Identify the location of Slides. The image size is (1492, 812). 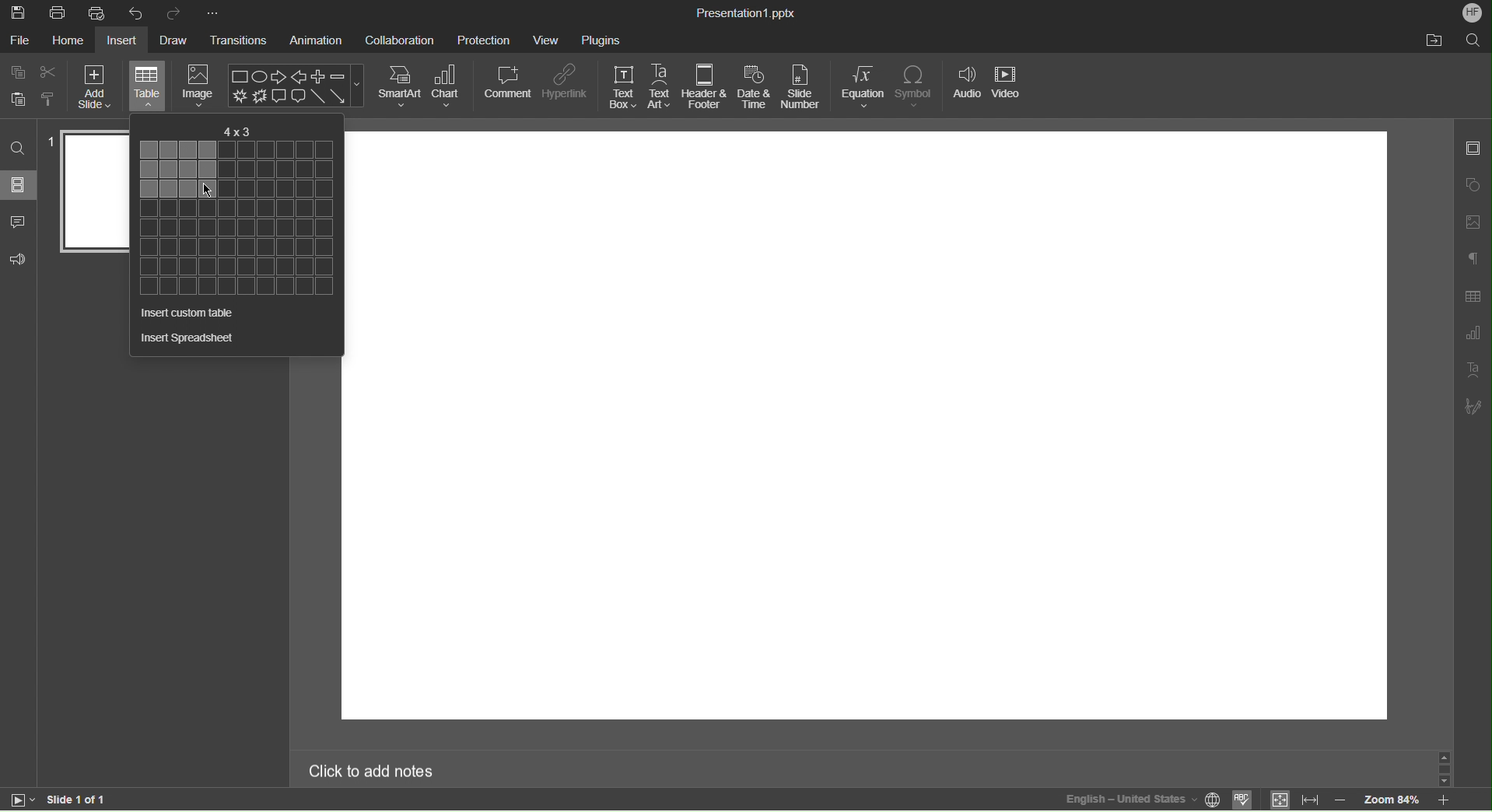
(19, 186).